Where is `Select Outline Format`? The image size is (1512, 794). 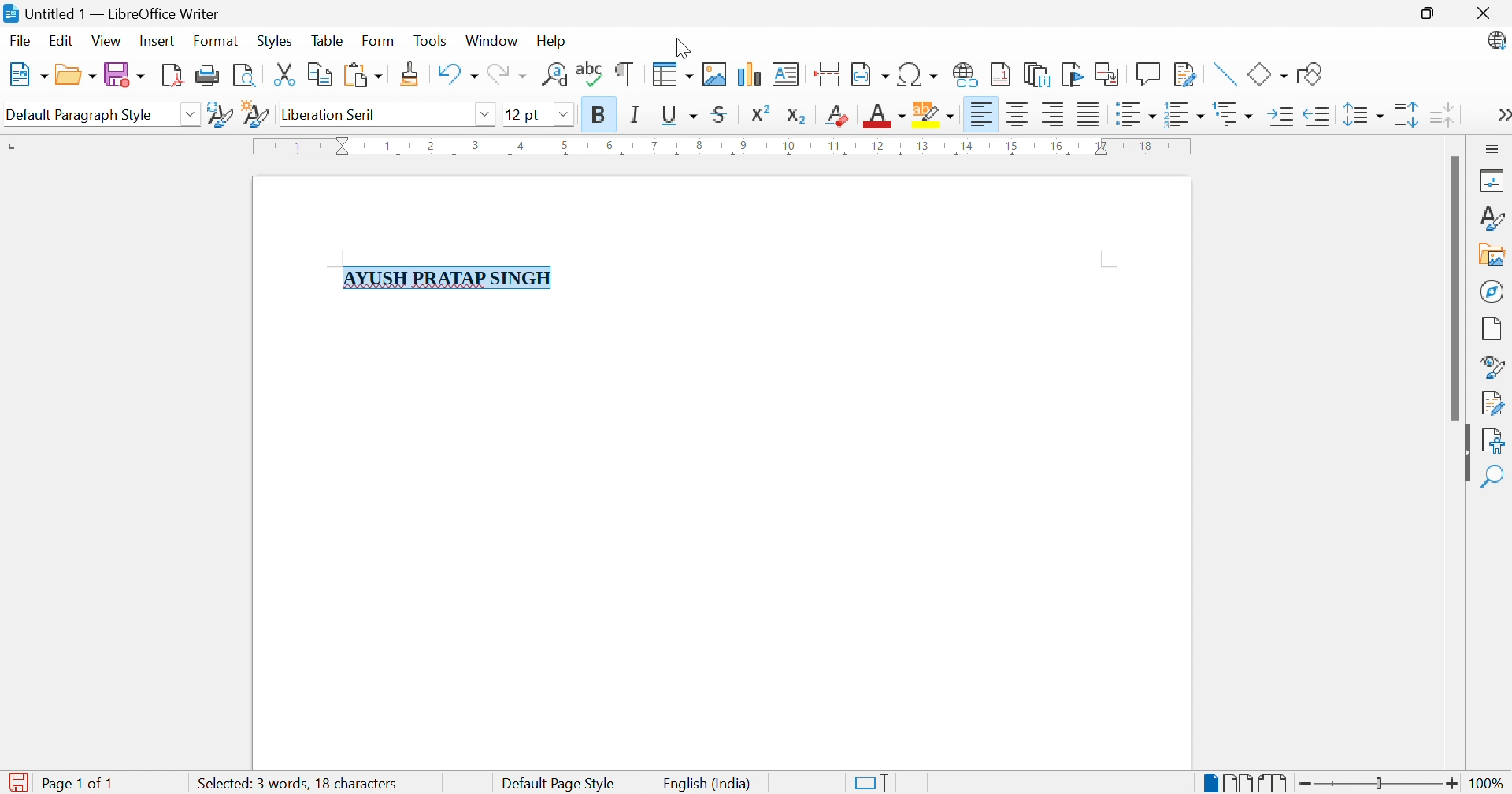 Select Outline Format is located at coordinates (1235, 114).